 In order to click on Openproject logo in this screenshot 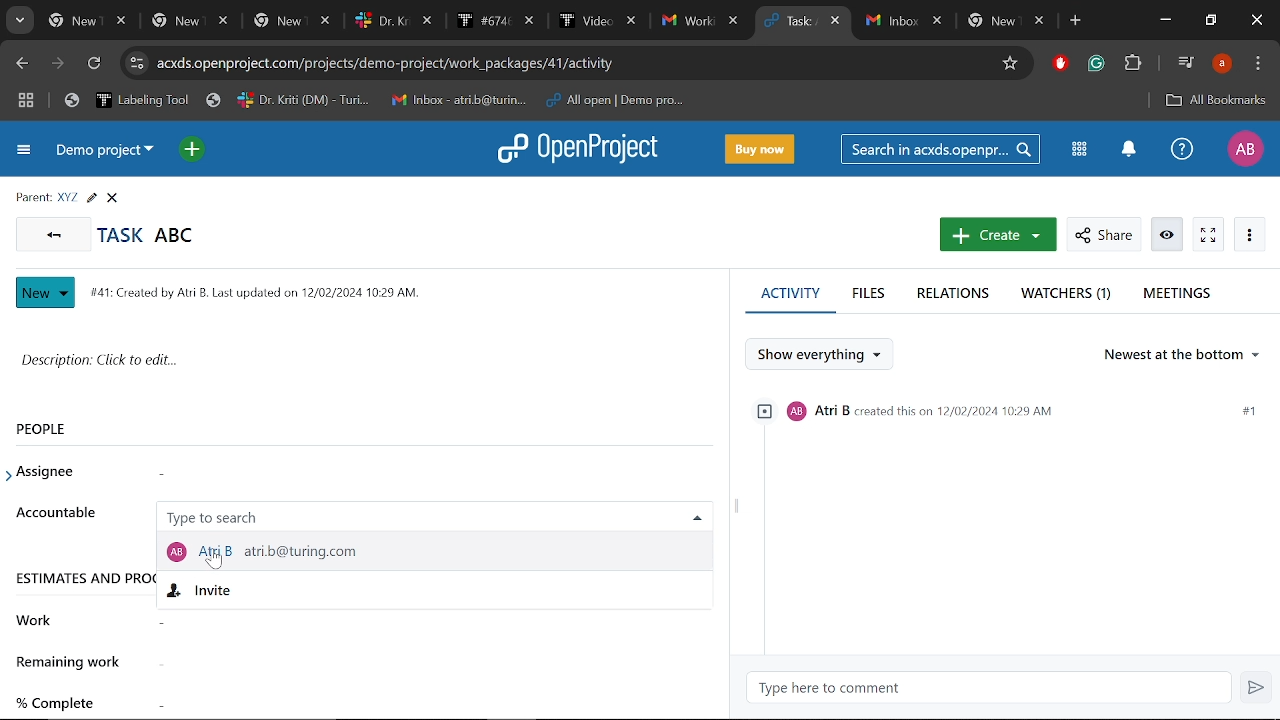, I will do `click(580, 149)`.